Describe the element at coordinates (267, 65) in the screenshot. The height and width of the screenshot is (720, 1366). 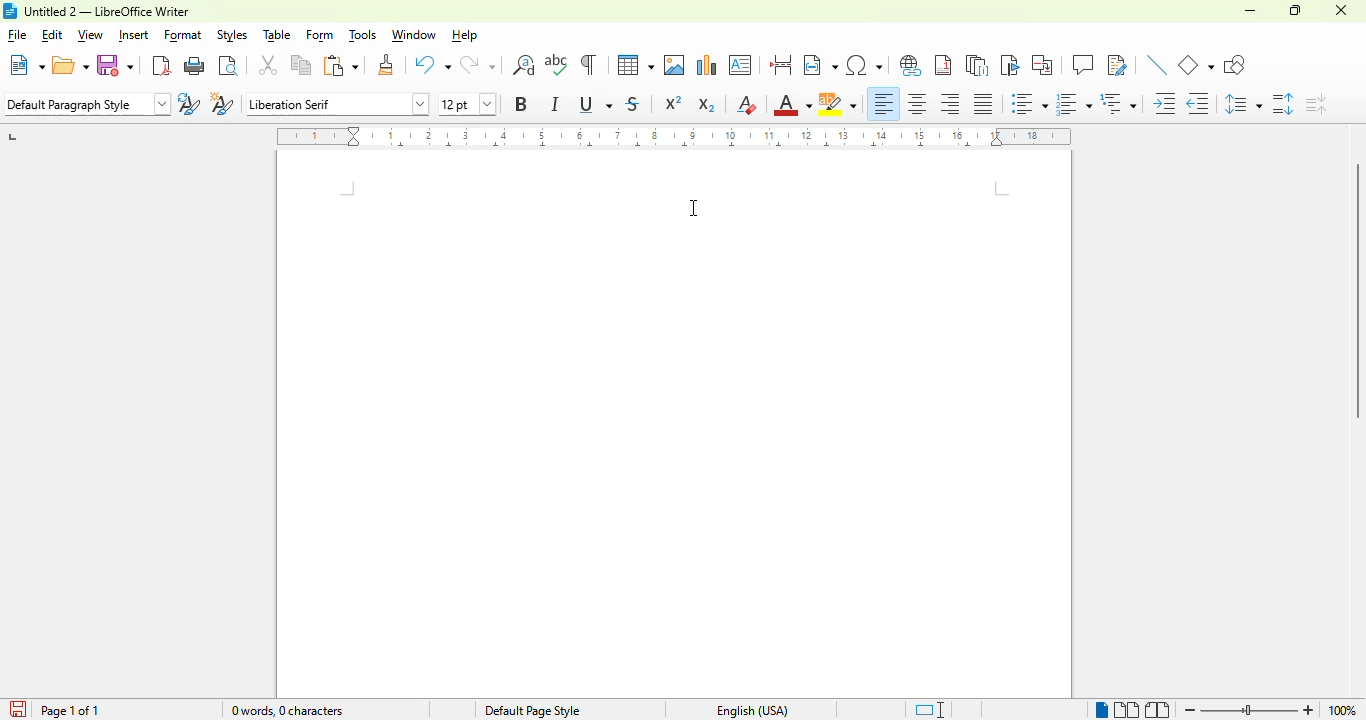
I see `cut` at that location.